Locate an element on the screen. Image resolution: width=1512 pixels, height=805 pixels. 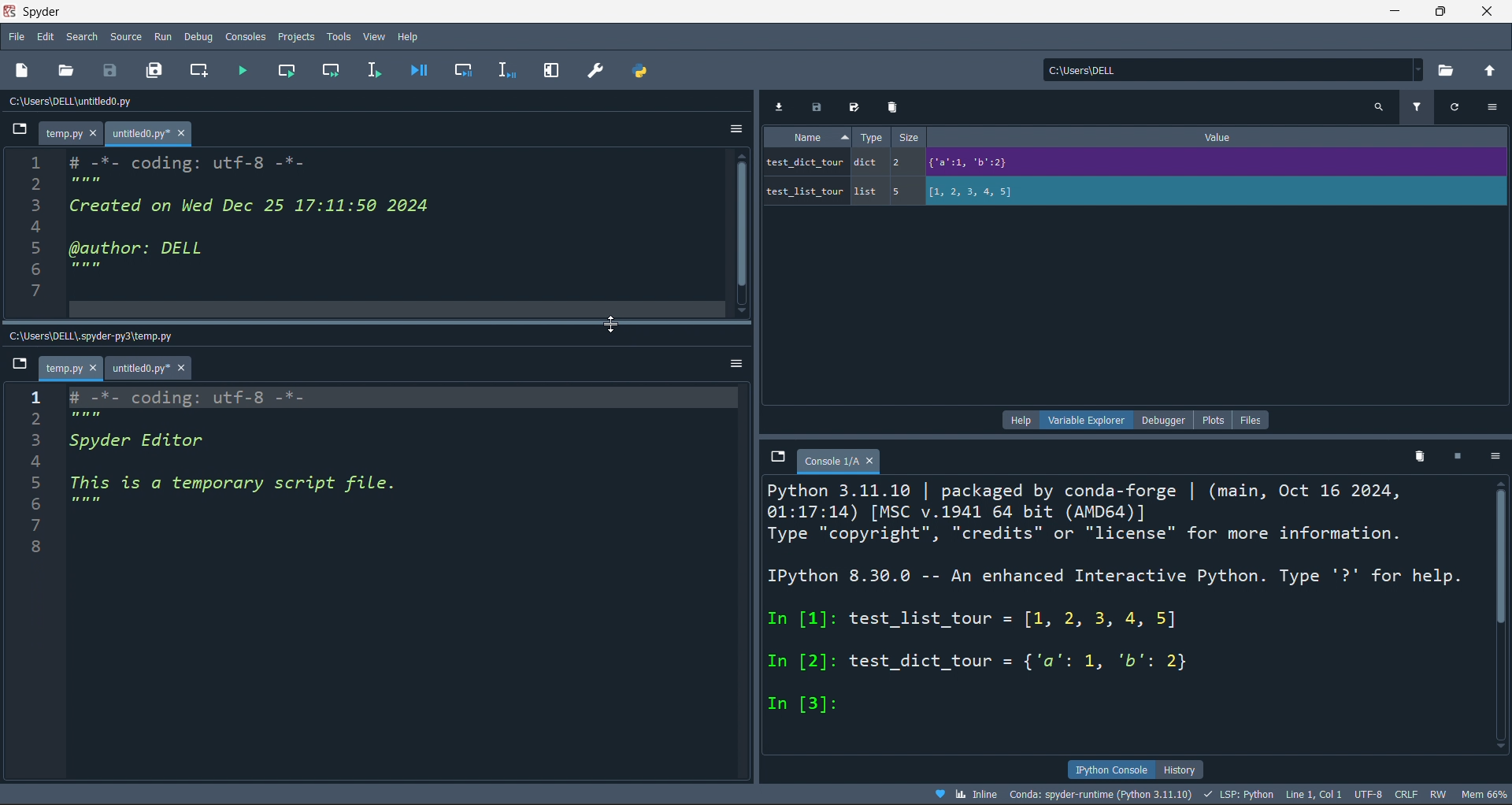
3 Spyder Editor is located at coordinates (130, 442).